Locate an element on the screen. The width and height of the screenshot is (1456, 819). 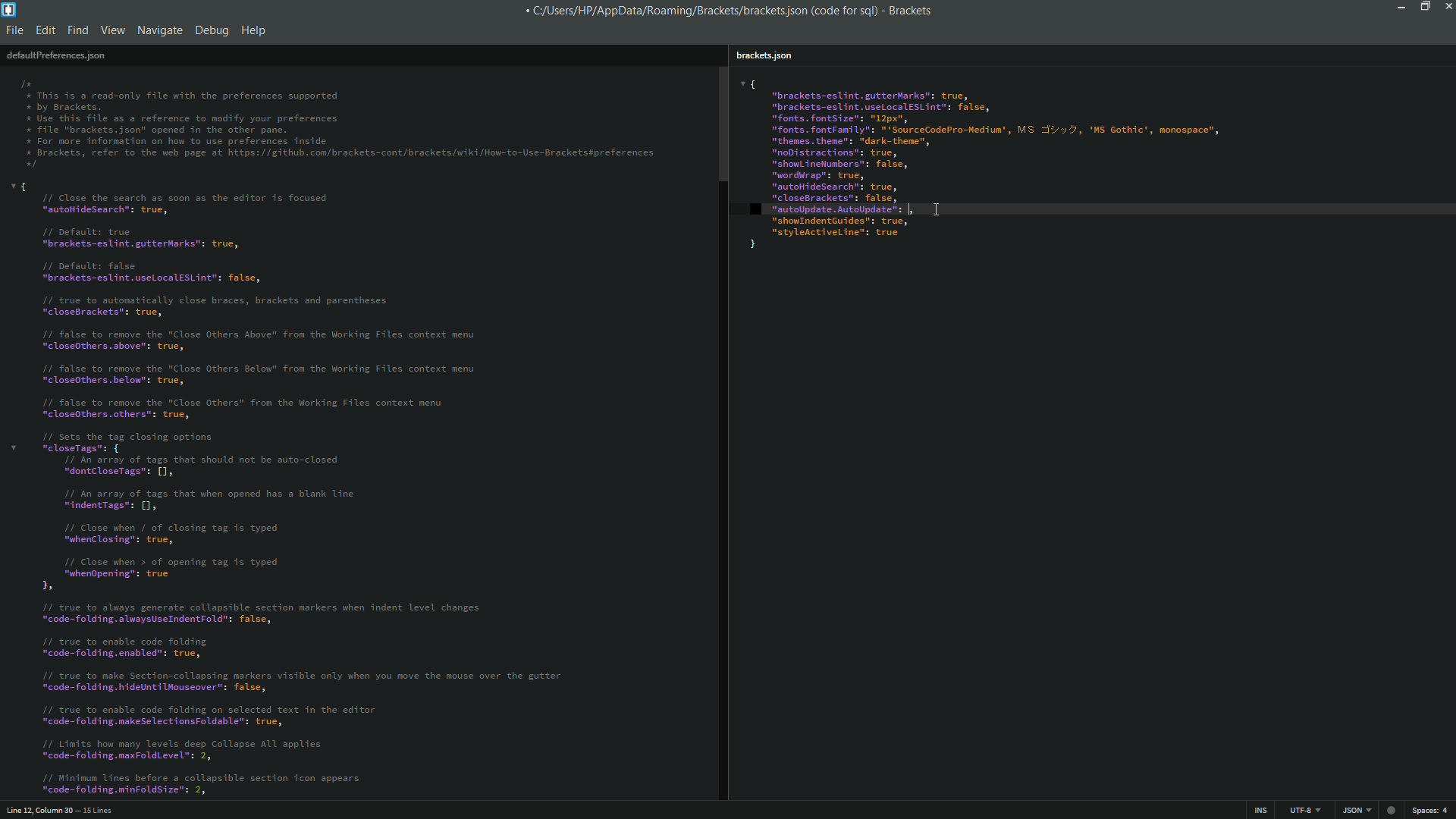
Ix

* This is a read-only file with the preferences supported

* by Brackets.

* Use this file as a reference to modify your preferences

* file "brackets.json" opened in the other pane.

* For more information on how to use preferences inside

* Brackets, refer to the web page at https: //github.con/brackets-cont/brackets/wiki/How-to-Use-Bracketsspreferences
*/ is located at coordinates (340, 121).